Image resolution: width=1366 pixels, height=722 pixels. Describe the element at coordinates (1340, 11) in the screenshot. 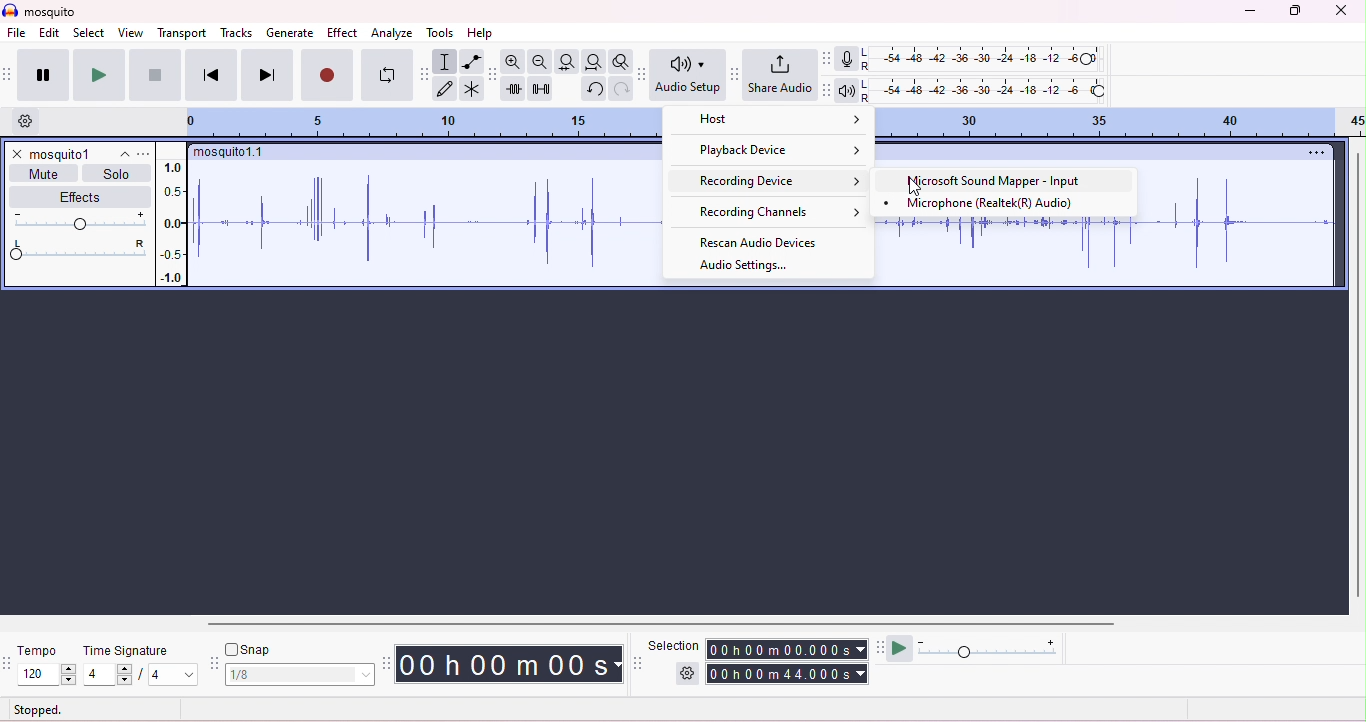

I see `close` at that location.